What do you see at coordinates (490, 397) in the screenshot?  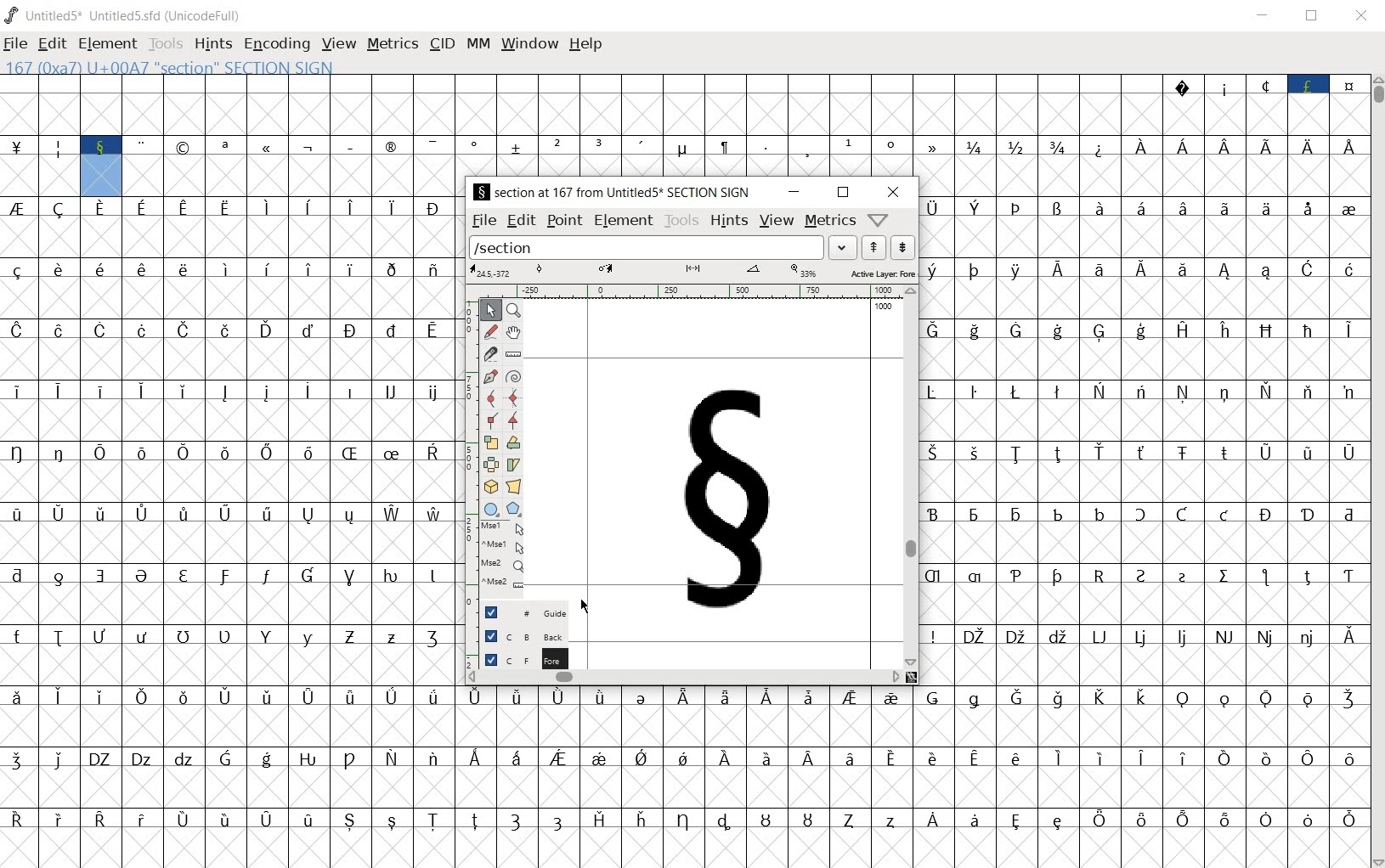 I see `add a curve point` at bounding box center [490, 397].